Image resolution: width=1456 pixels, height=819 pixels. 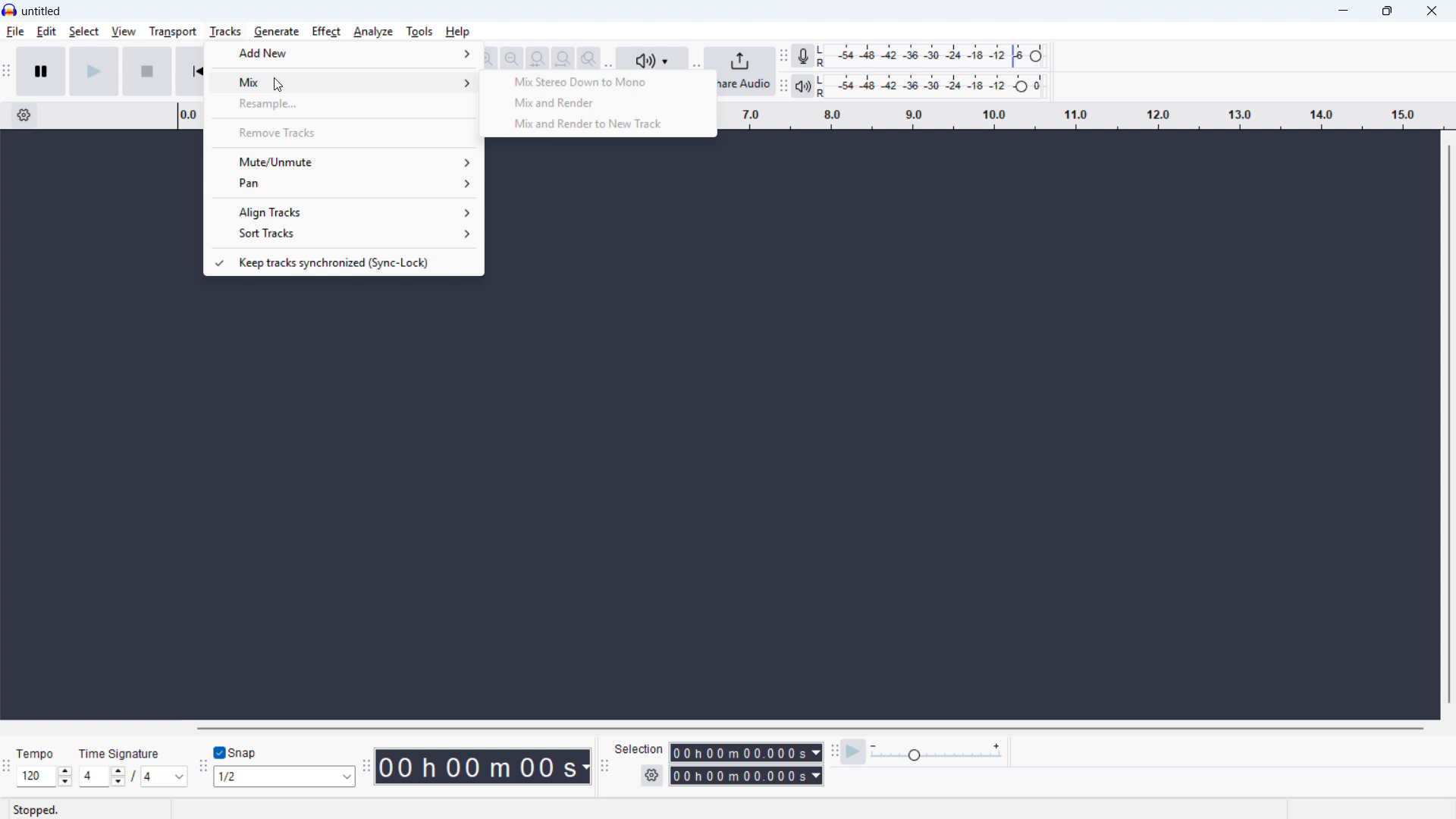 What do you see at coordinates (342, 105) in the screenshot?
I see `Resample ` at bounding box center [342, 105].